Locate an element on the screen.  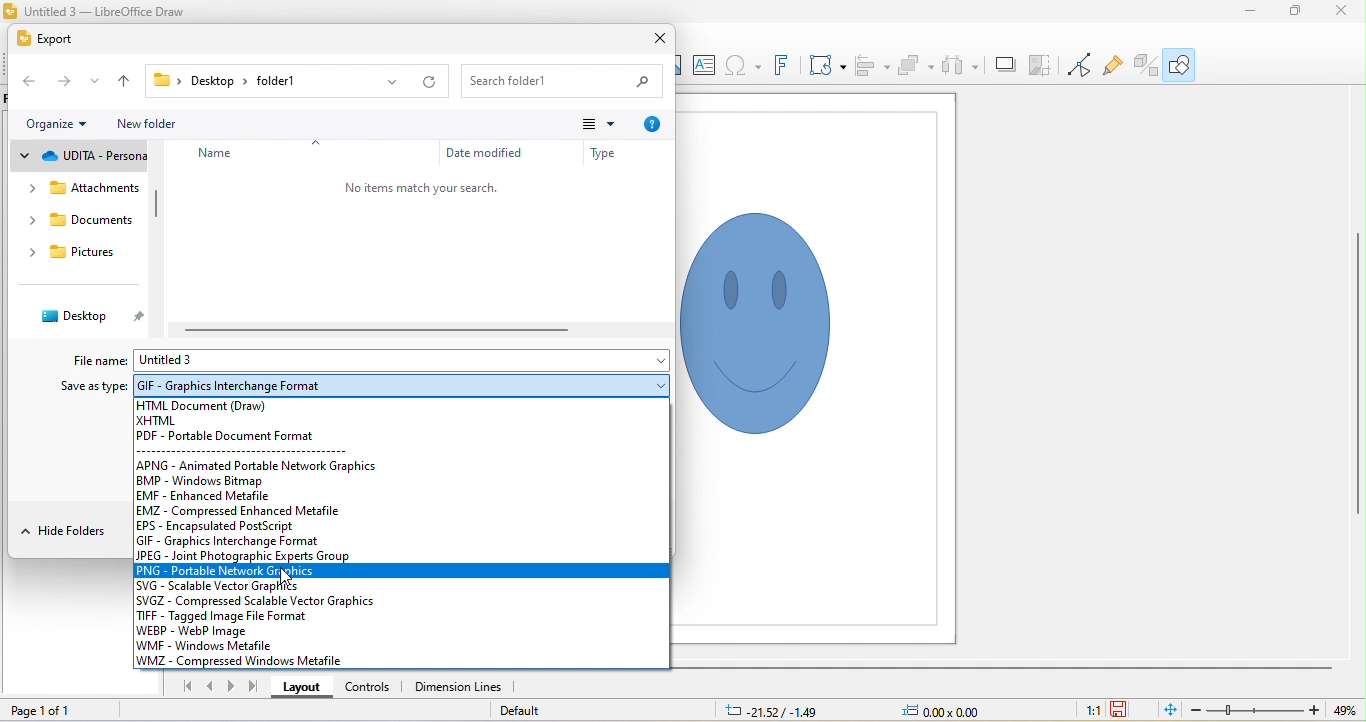
file path is located at coordinates (231, 80).